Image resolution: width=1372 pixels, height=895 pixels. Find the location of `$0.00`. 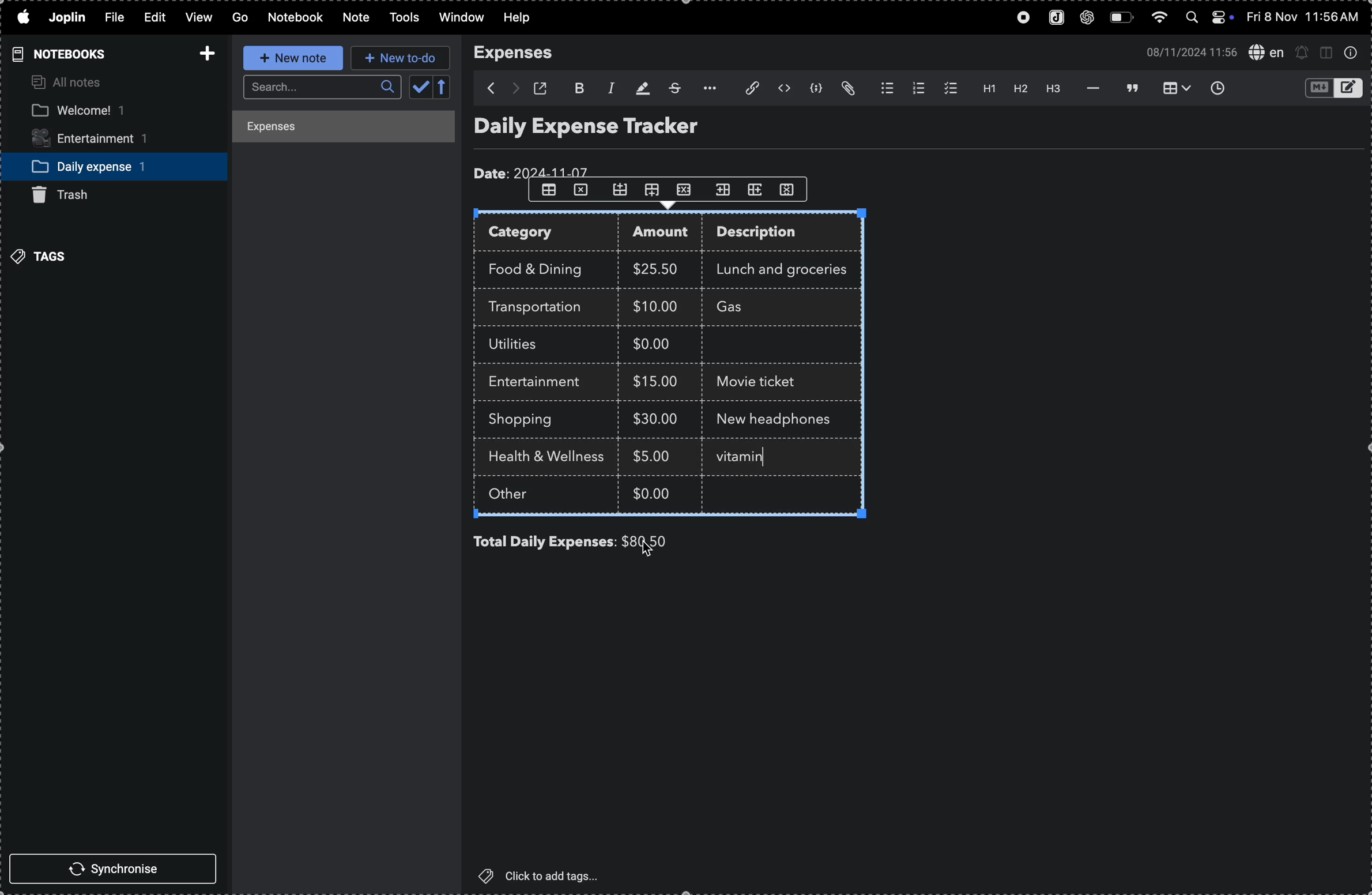

$0.00 is located at coordinates (659, 346).